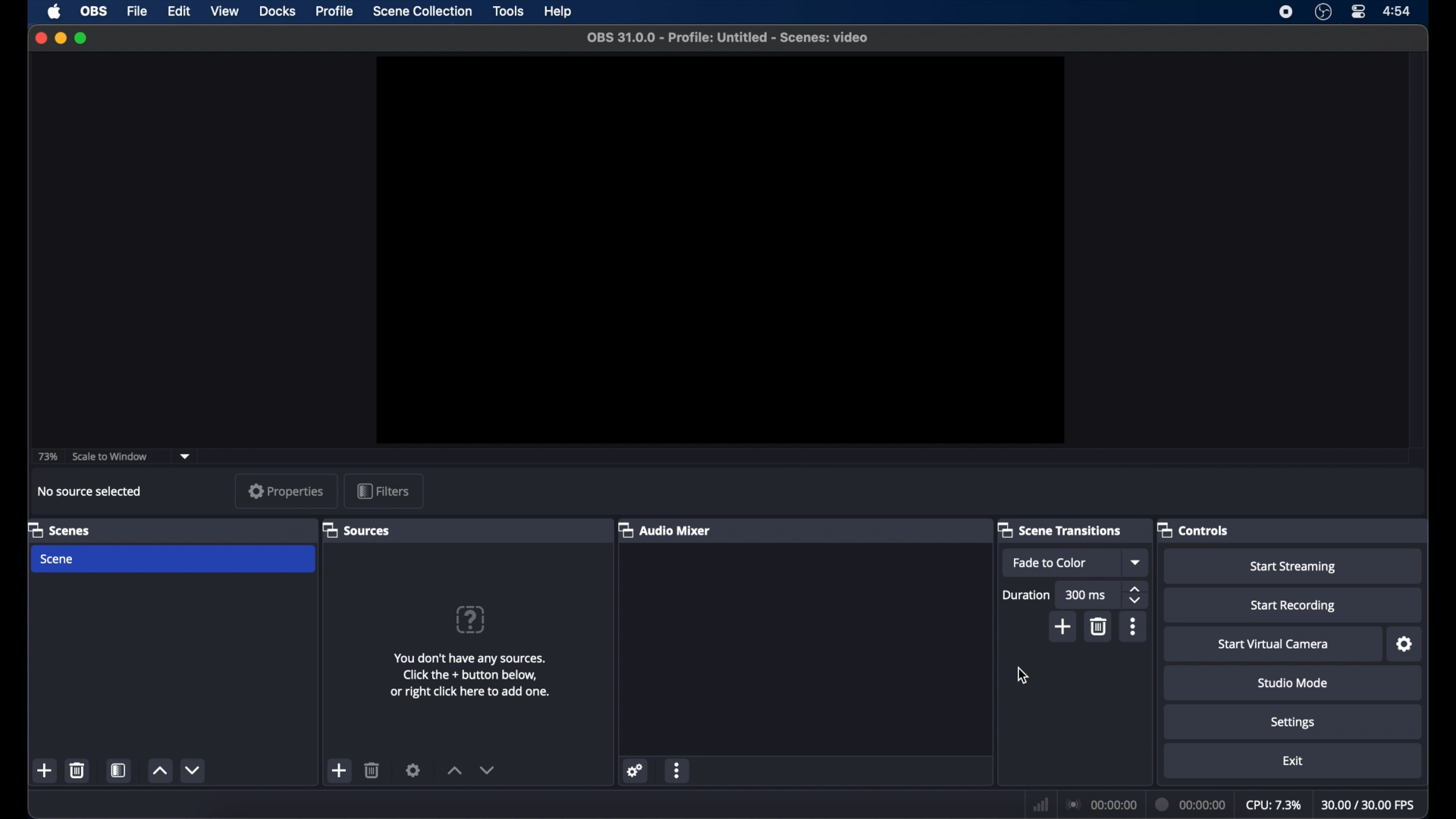 Image resolution: width=1456 pixels, height=819 pixels. What do you see at coordinates (1294, 567) in the screenshot?
I see `start streaming` at bounding box center [1294, 567].